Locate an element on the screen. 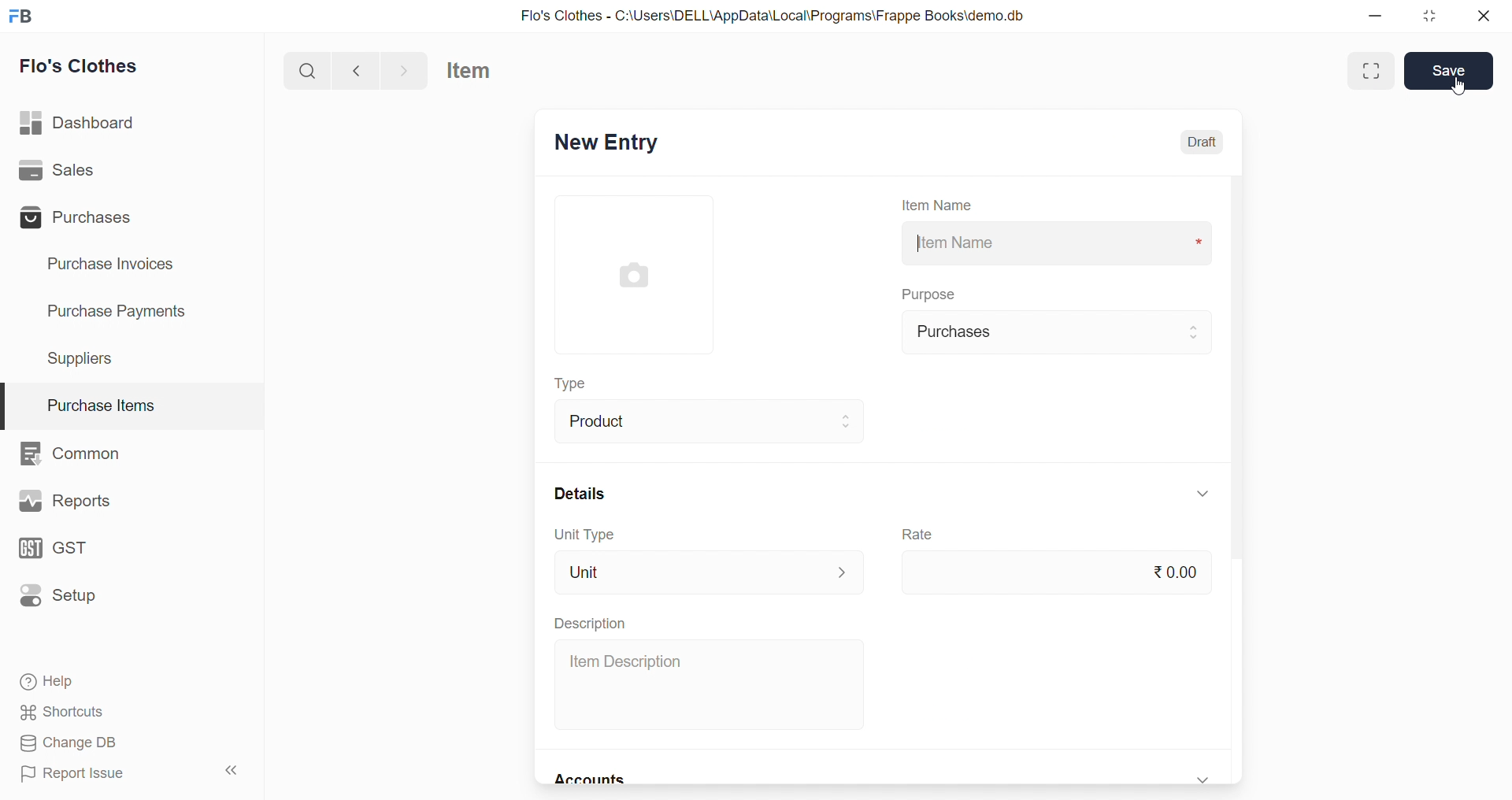 This screenshot has height=800, width=1512. Purchases is located at coordinates (1058, 332).